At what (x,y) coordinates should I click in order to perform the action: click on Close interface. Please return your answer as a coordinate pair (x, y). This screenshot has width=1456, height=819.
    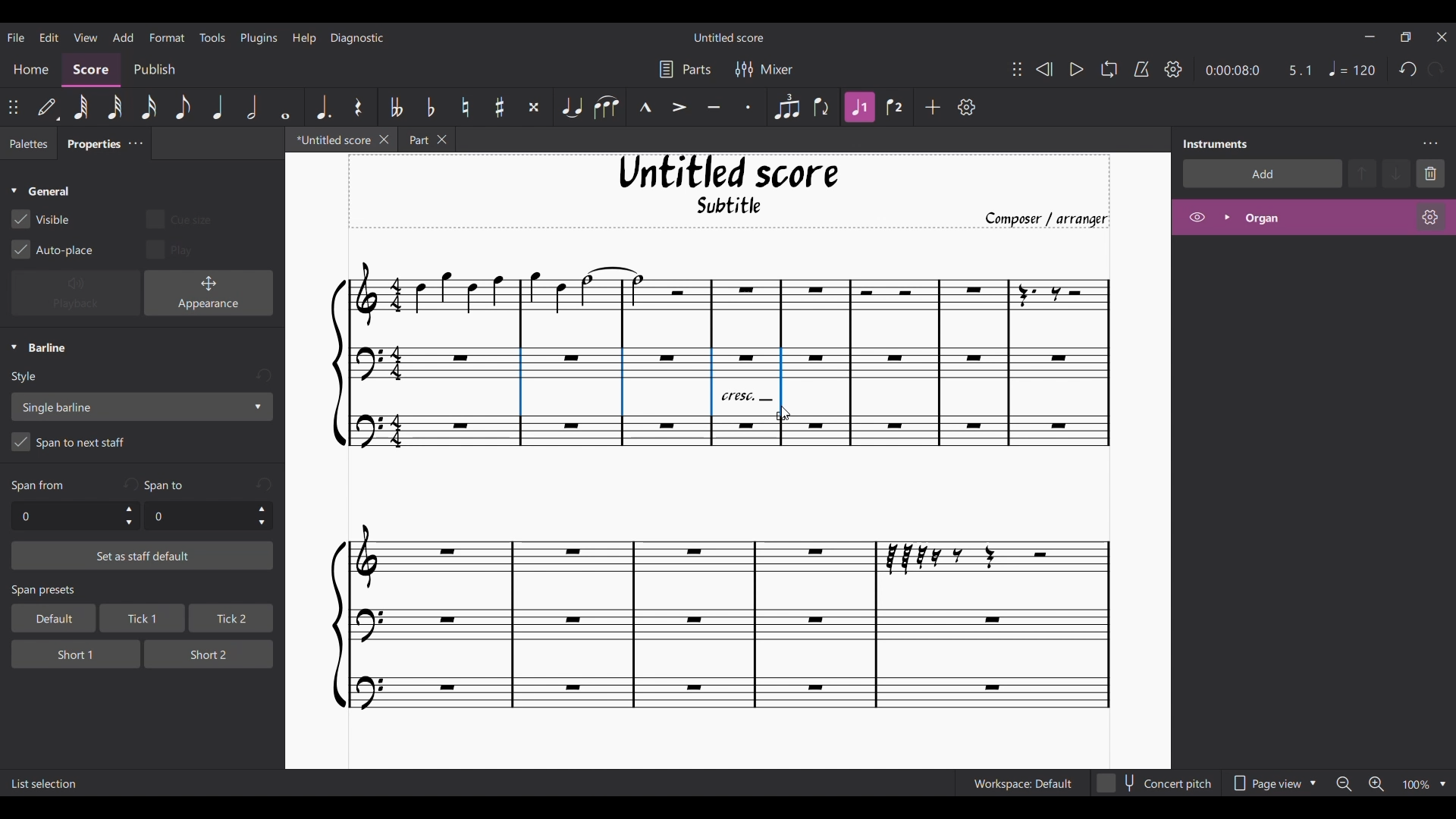
    Looking at the image, I should click on (1442, 37).